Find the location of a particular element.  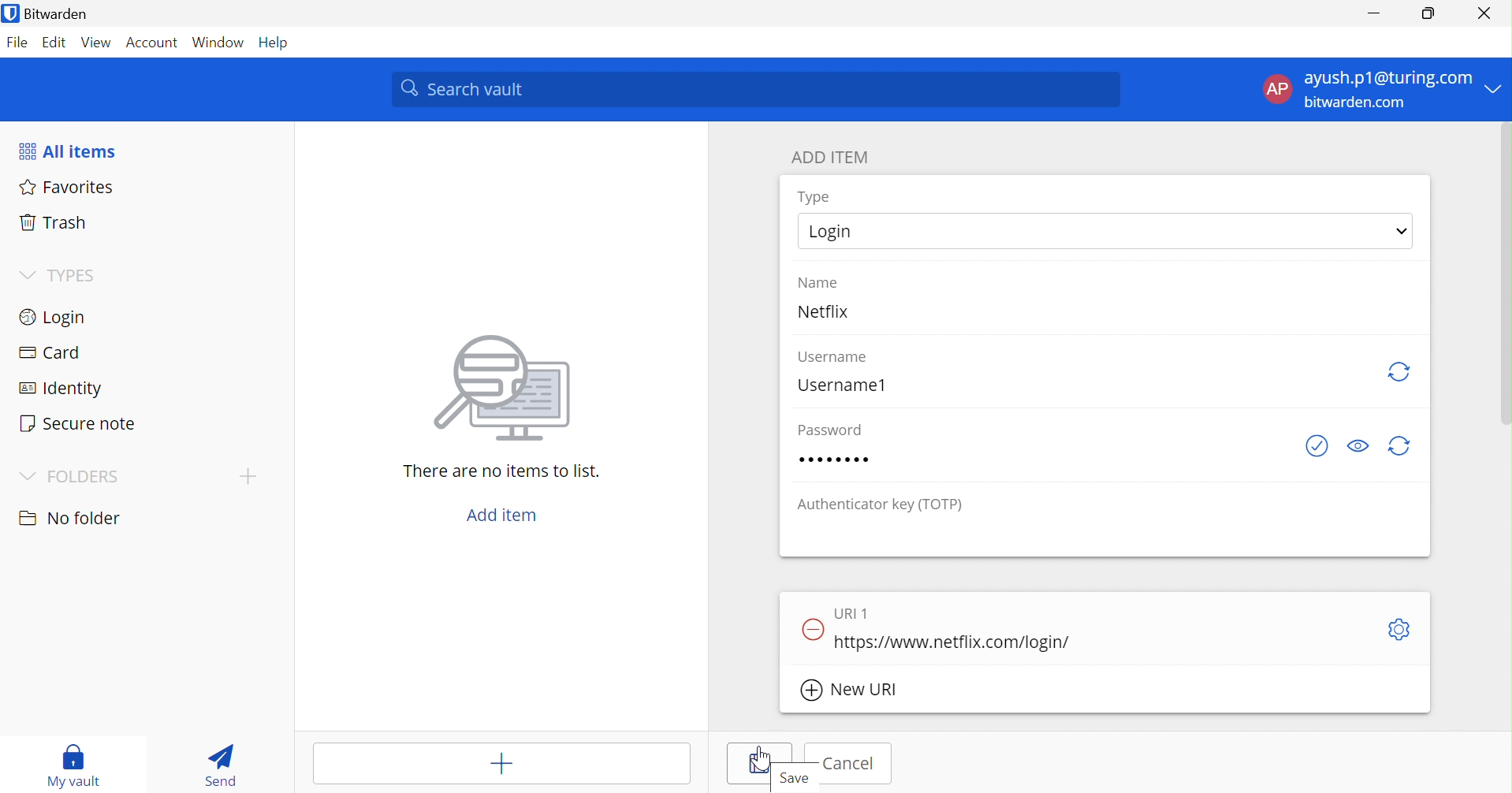

All items is located at coordinates (68, 149).